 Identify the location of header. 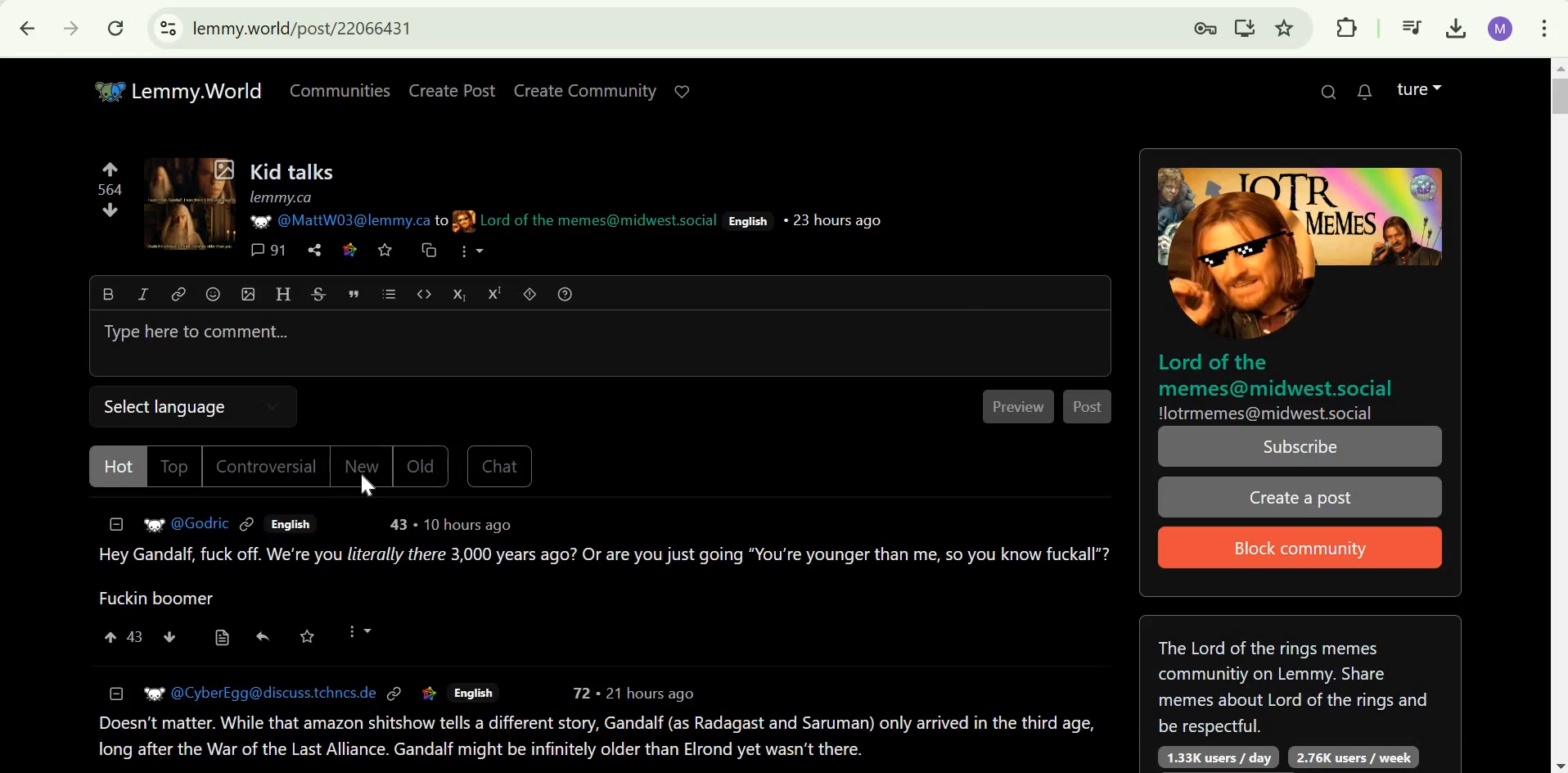
(282, 293).